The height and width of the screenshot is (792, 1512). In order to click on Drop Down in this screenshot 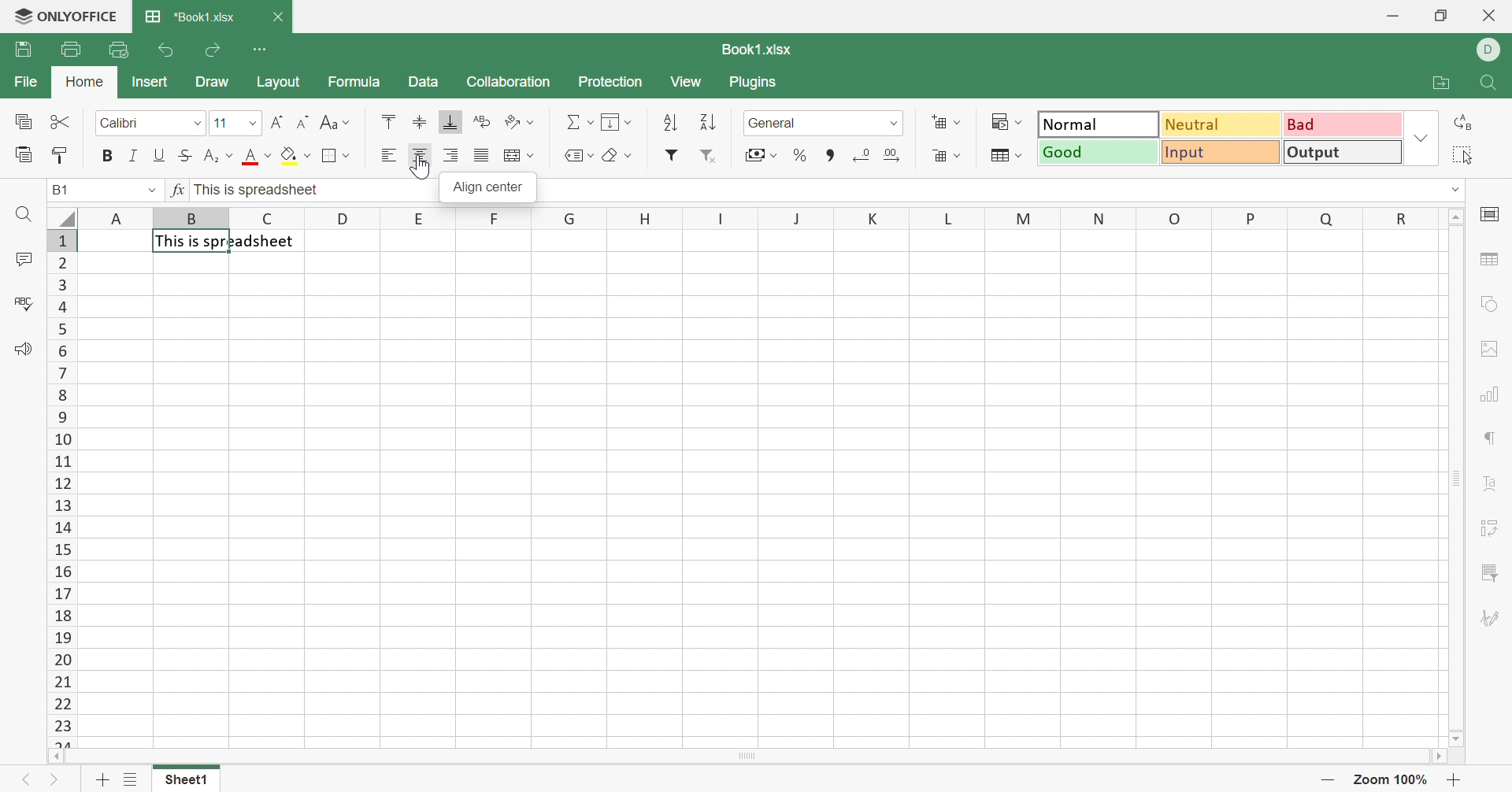, I will do `click(192, 124)`.